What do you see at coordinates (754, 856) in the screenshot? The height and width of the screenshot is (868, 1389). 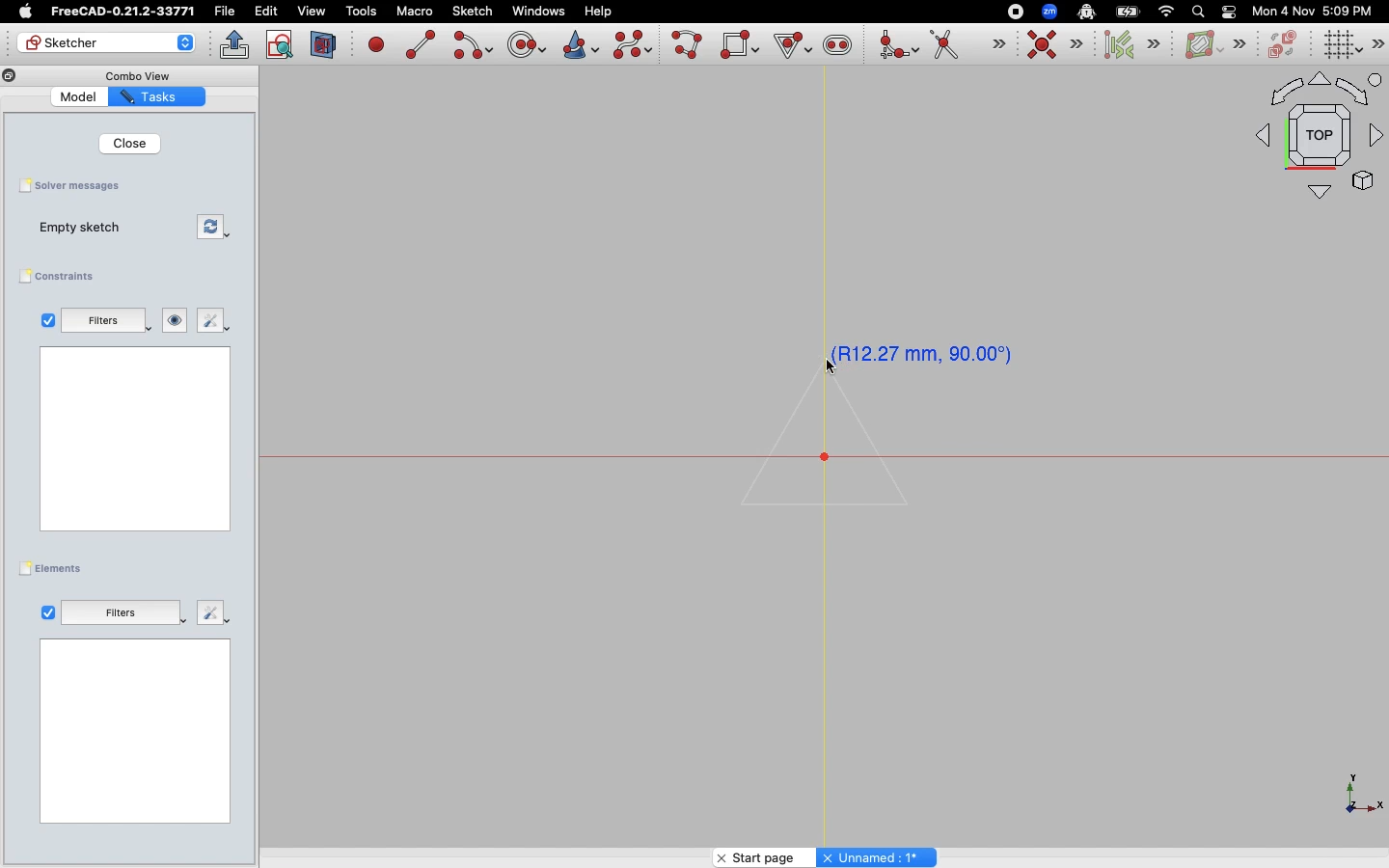 I see `Start page` at bounding box center [754, 856].